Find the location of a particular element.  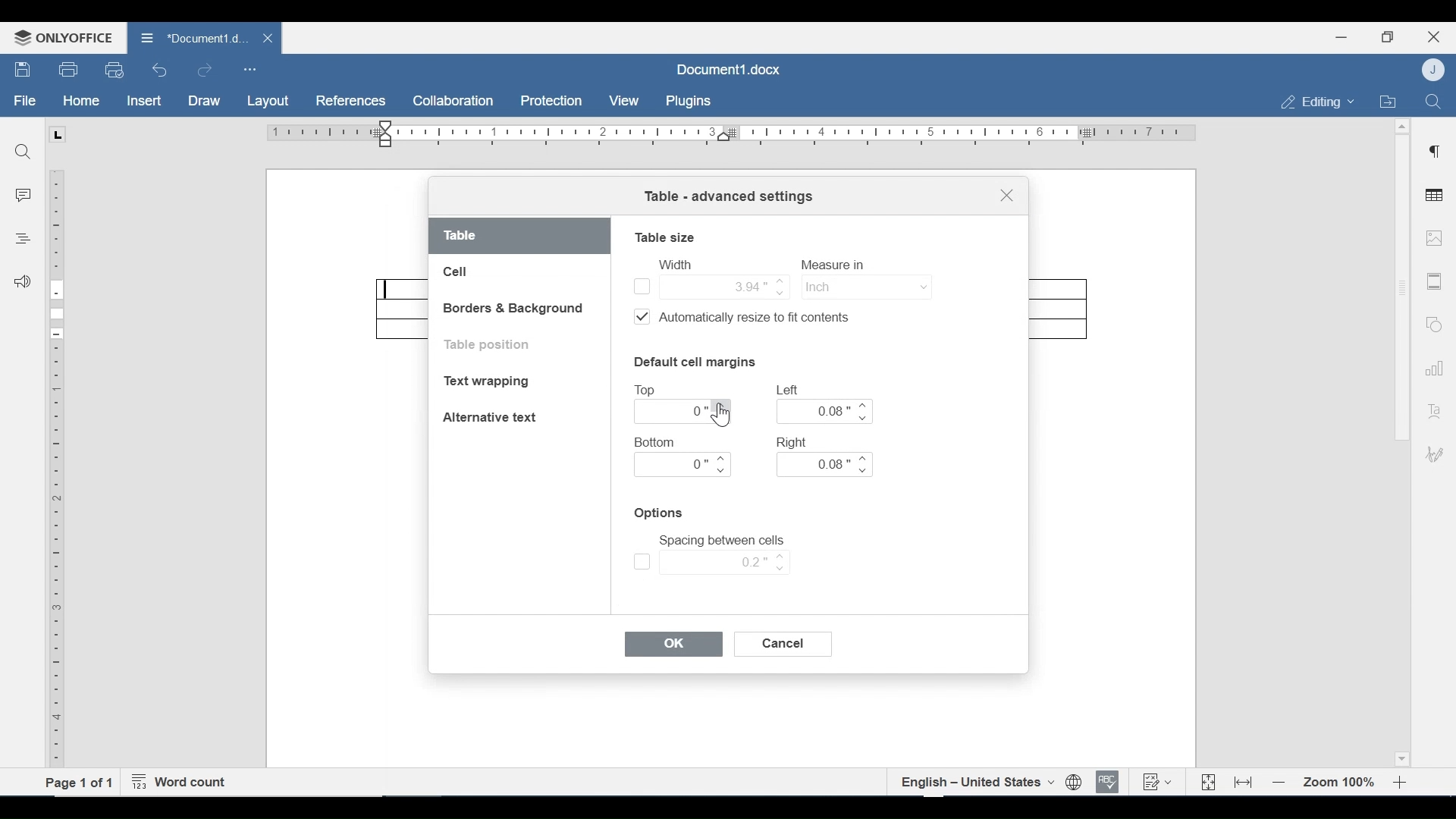

Left is located at coordinates (789, 390).